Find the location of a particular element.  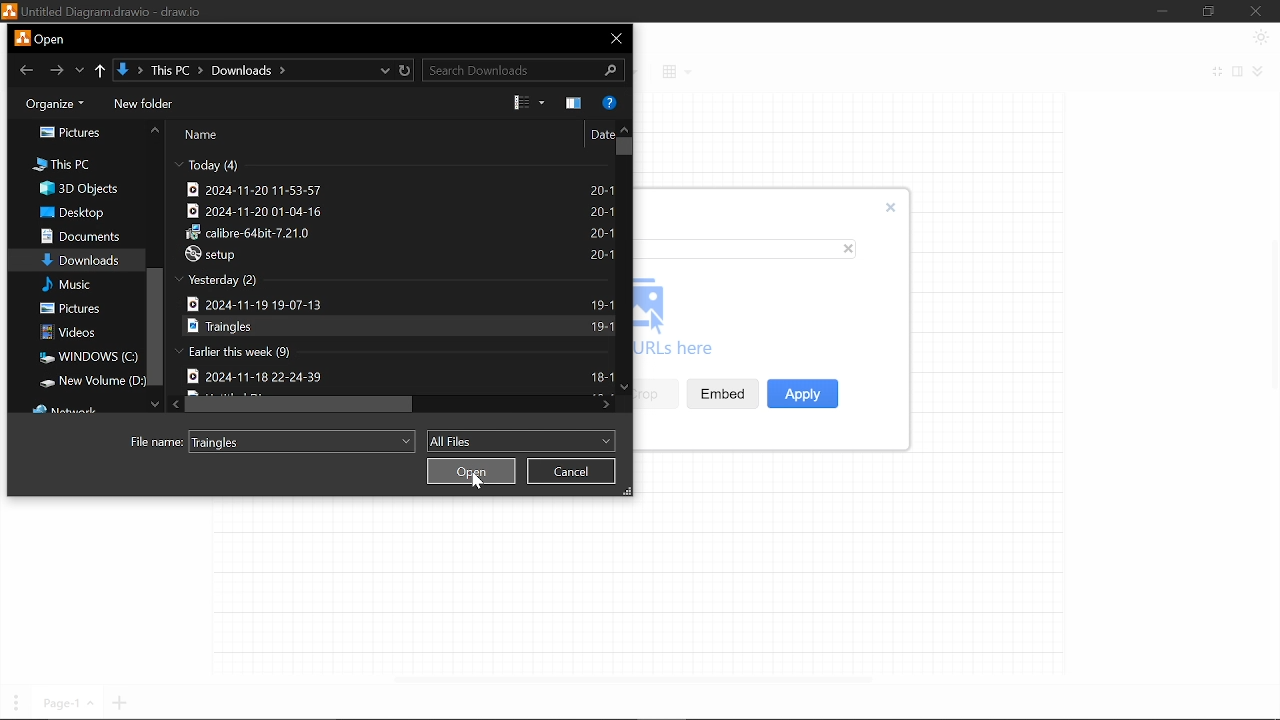

Close is located at coordinates (889, 208).